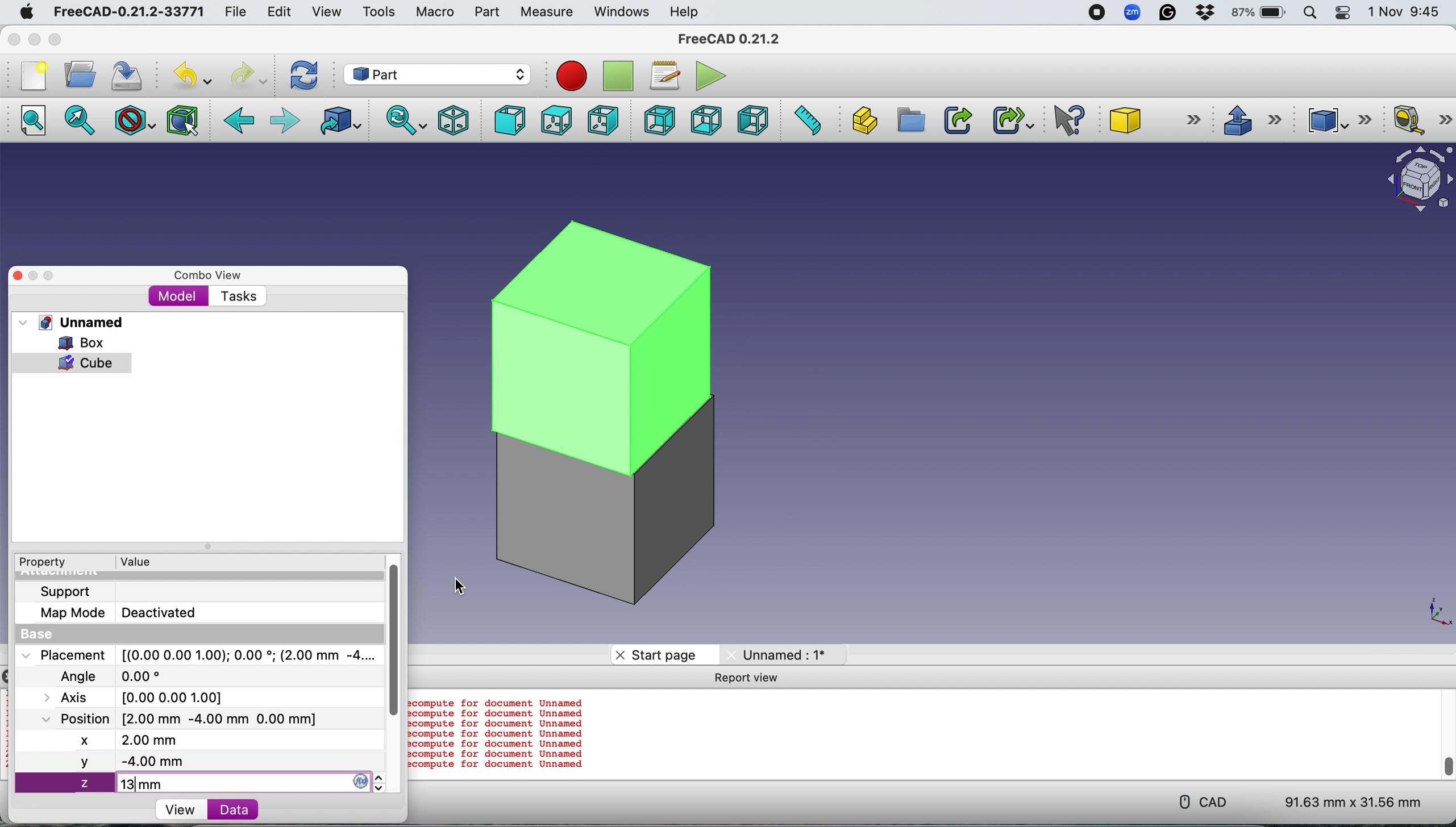  I want to click on Fit selection, so click(81, 122).